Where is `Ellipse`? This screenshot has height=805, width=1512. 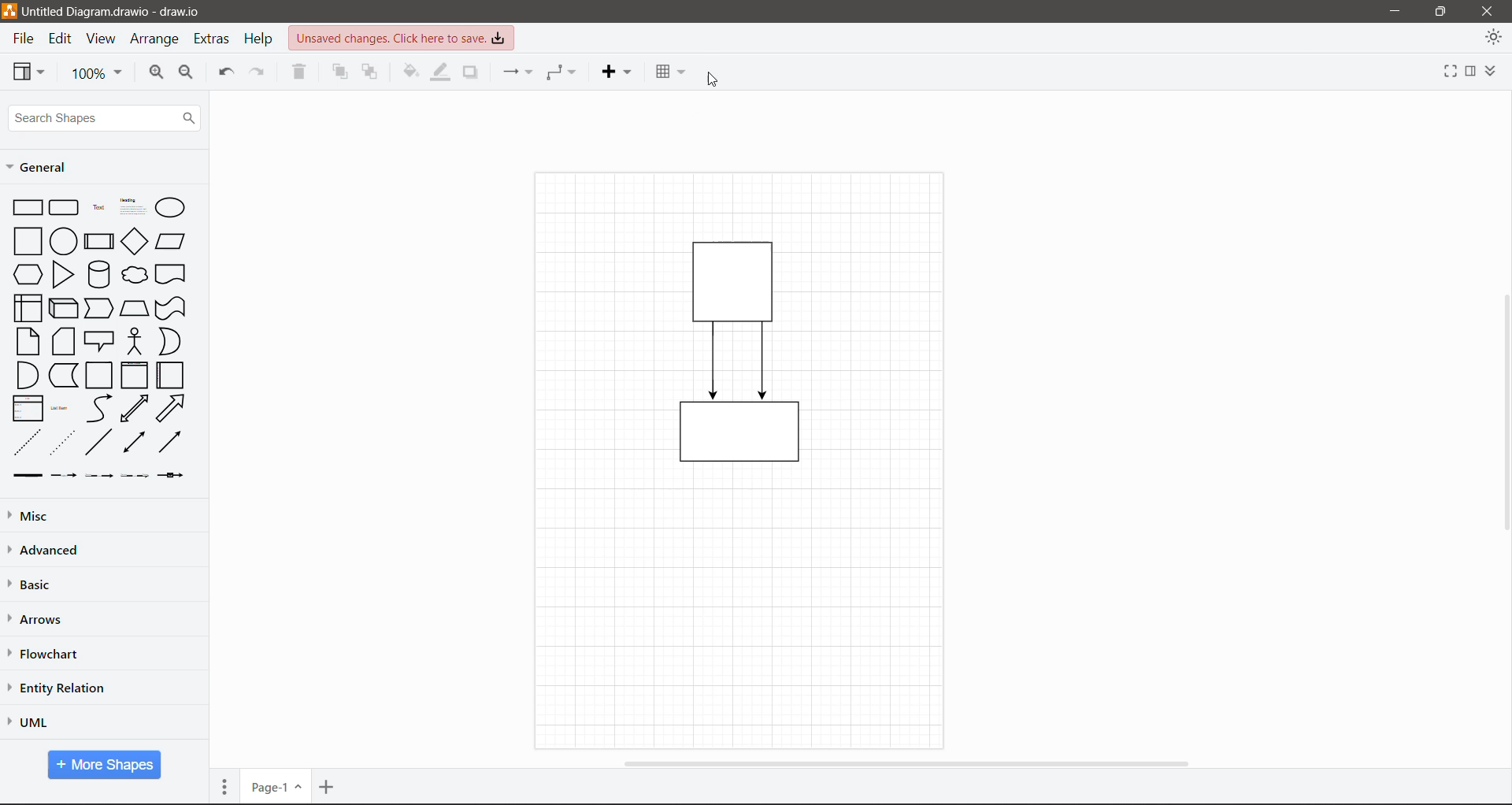 Ellipse is located at coordinates (170, 208).